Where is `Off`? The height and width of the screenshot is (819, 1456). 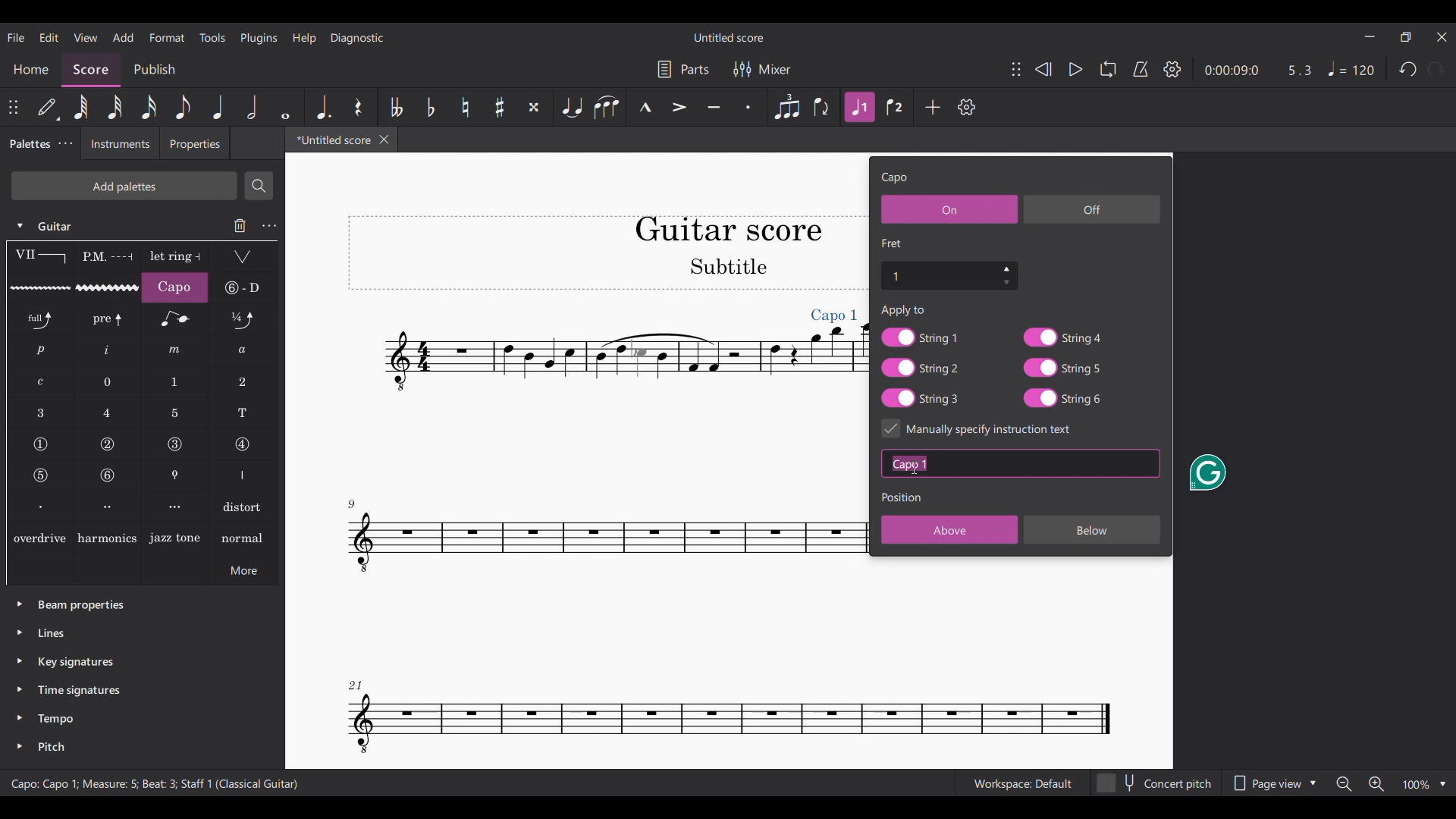
Off is located at coordinates (1092, 209).